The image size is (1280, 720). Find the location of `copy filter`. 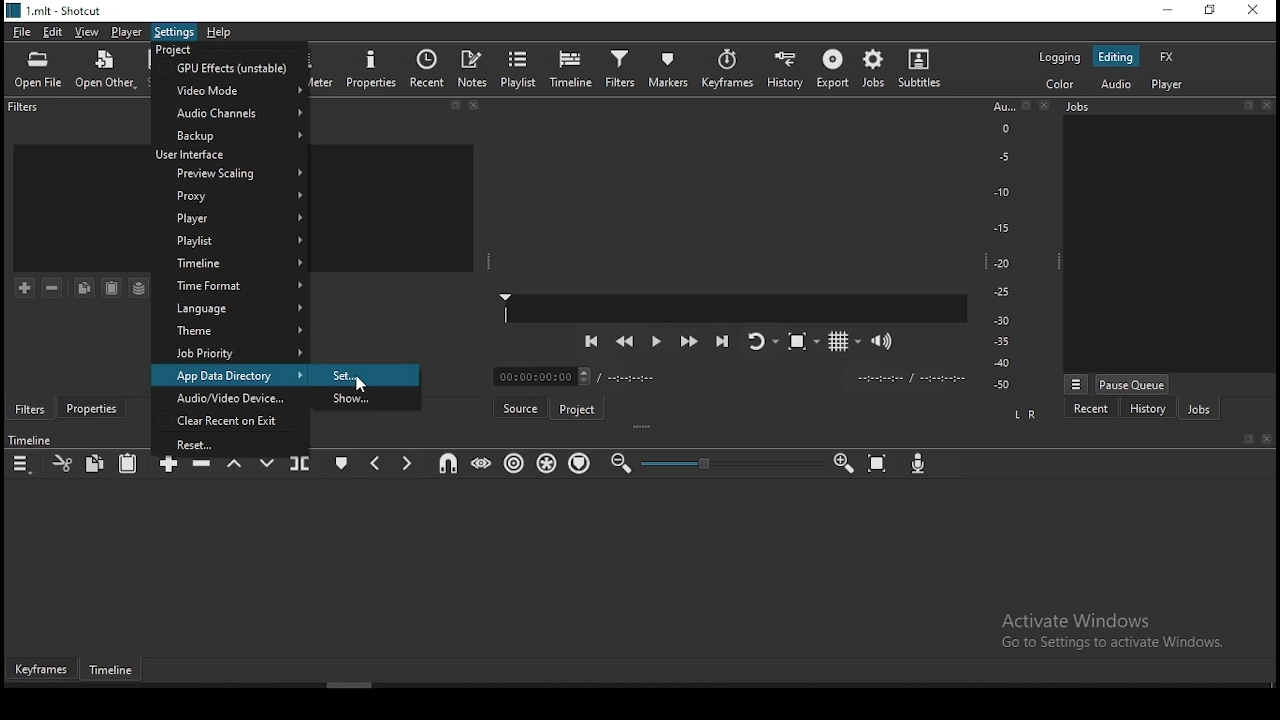

copy filter is located at coordinates (84, 288).